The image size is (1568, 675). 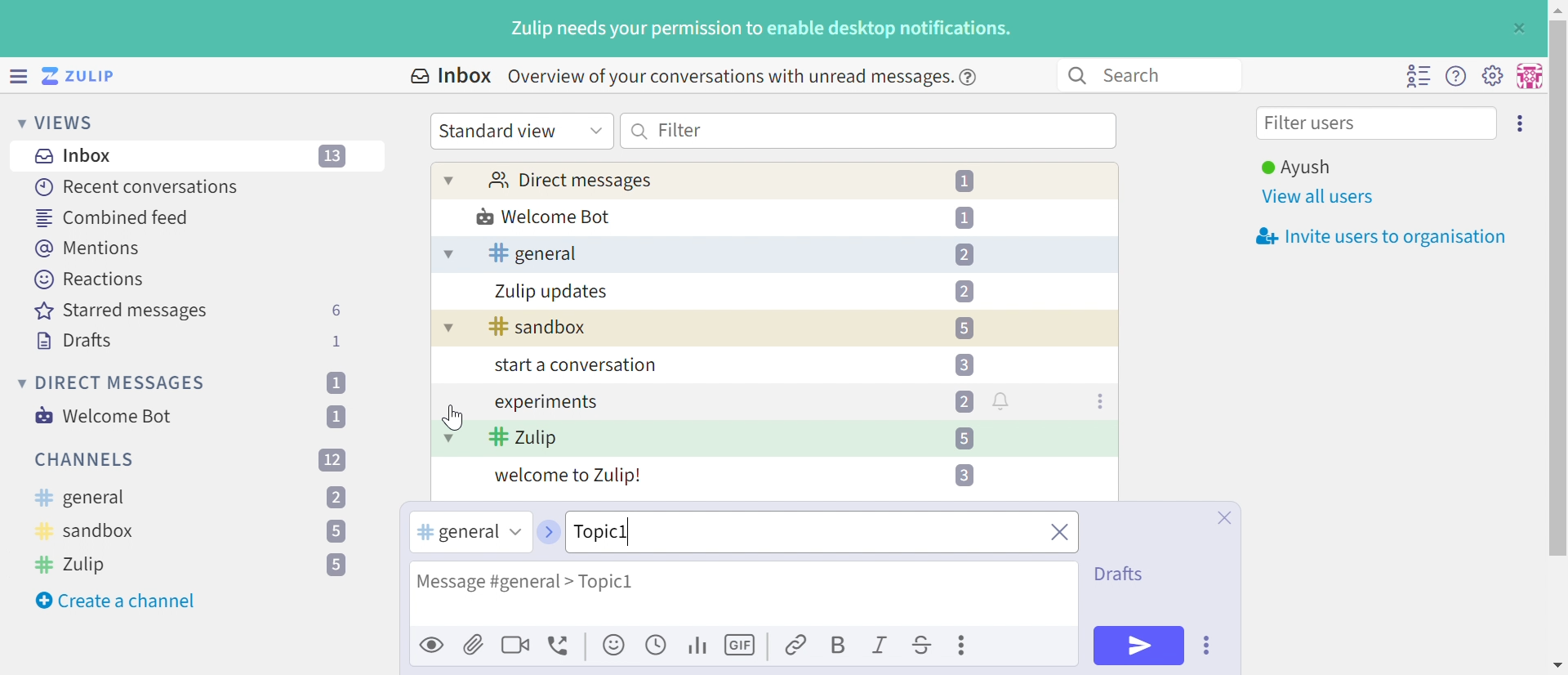 I want to click on Welcome Bot, so click(x=545, y=218).